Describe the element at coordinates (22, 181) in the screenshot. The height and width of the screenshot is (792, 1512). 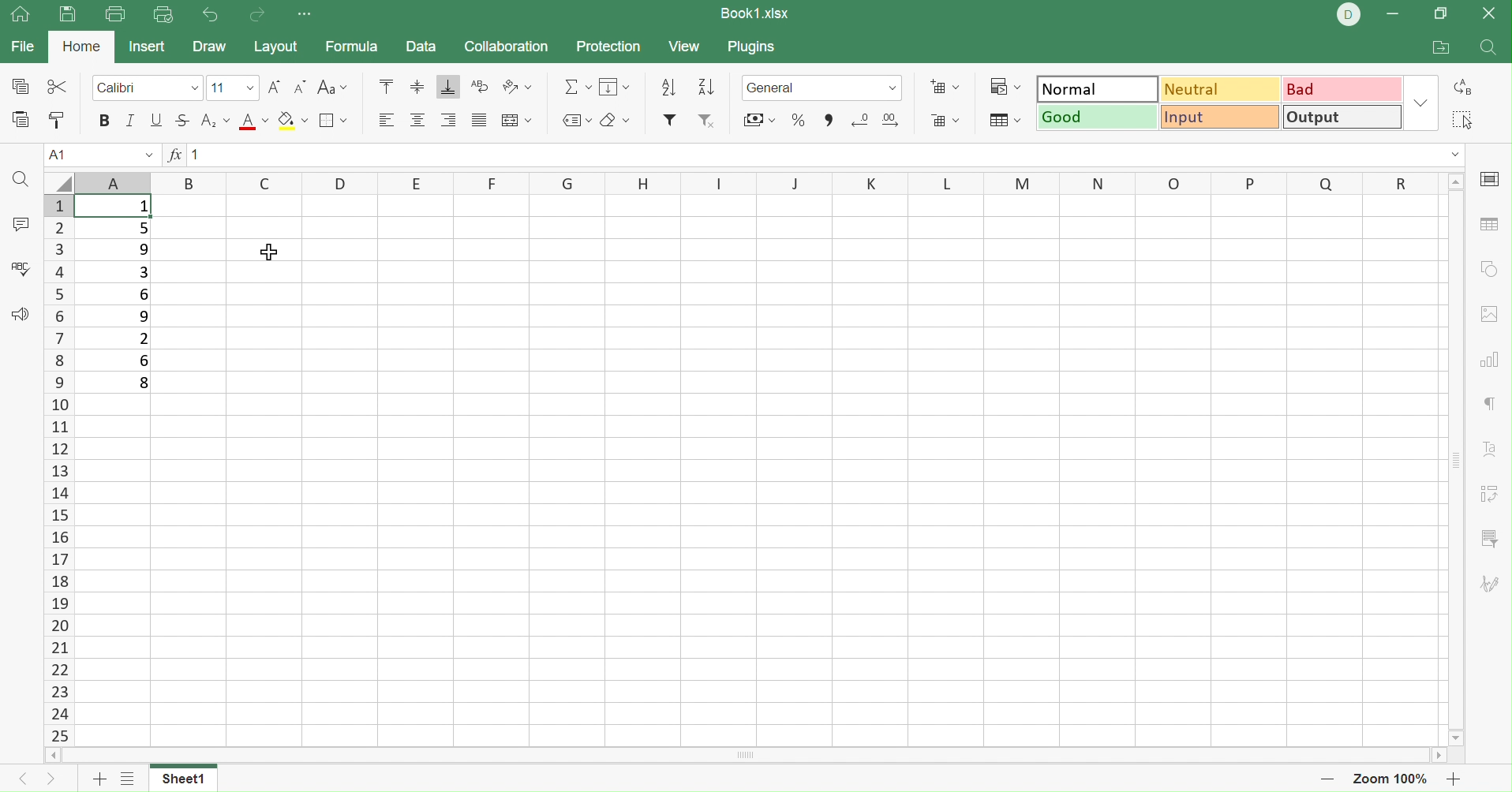
I see `Find` at that location.